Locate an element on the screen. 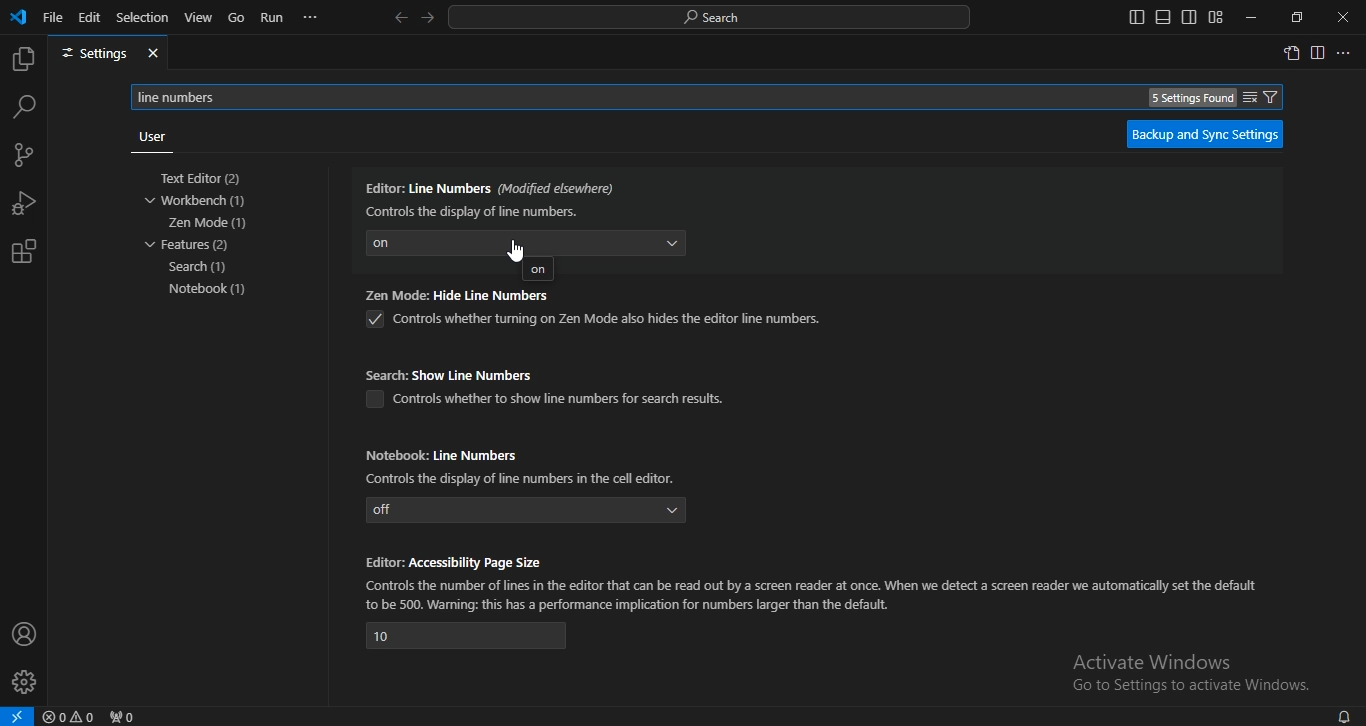  toggle primary sidebar is located at coordinates (1137, 17).